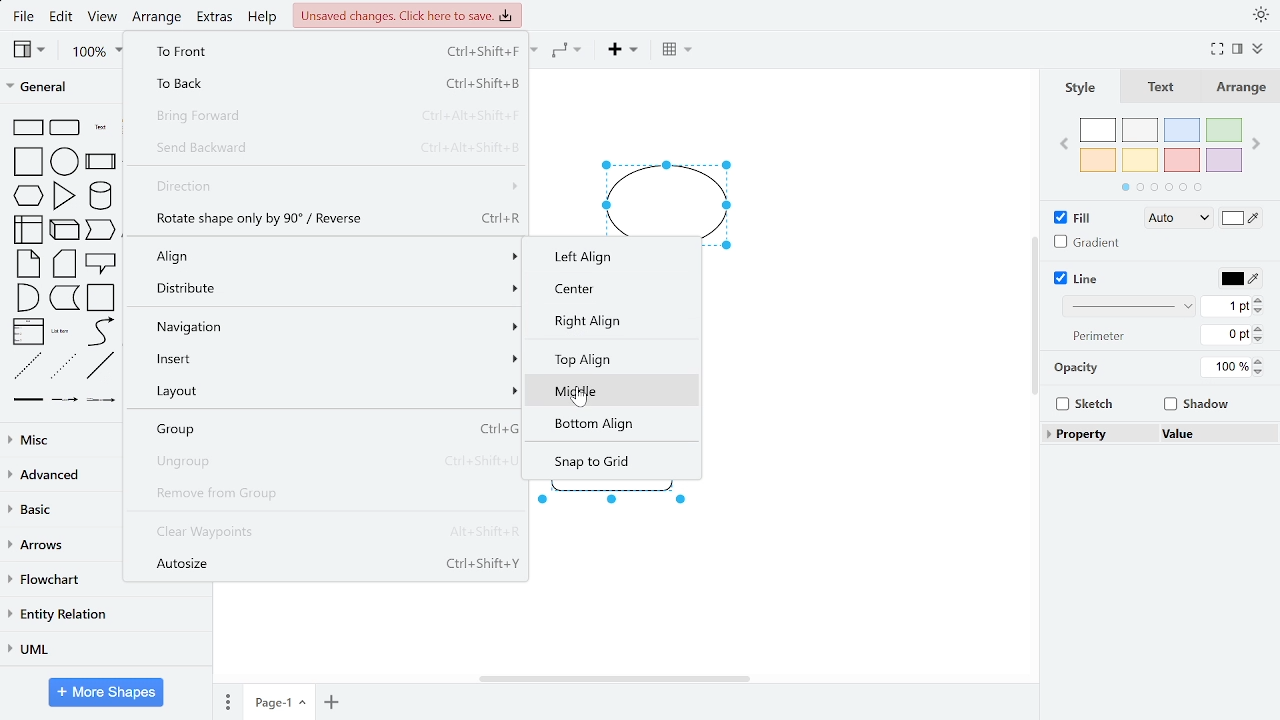 The height and width of the screenshot is (720, 1280). I want to click on text, so click(1162, 87).